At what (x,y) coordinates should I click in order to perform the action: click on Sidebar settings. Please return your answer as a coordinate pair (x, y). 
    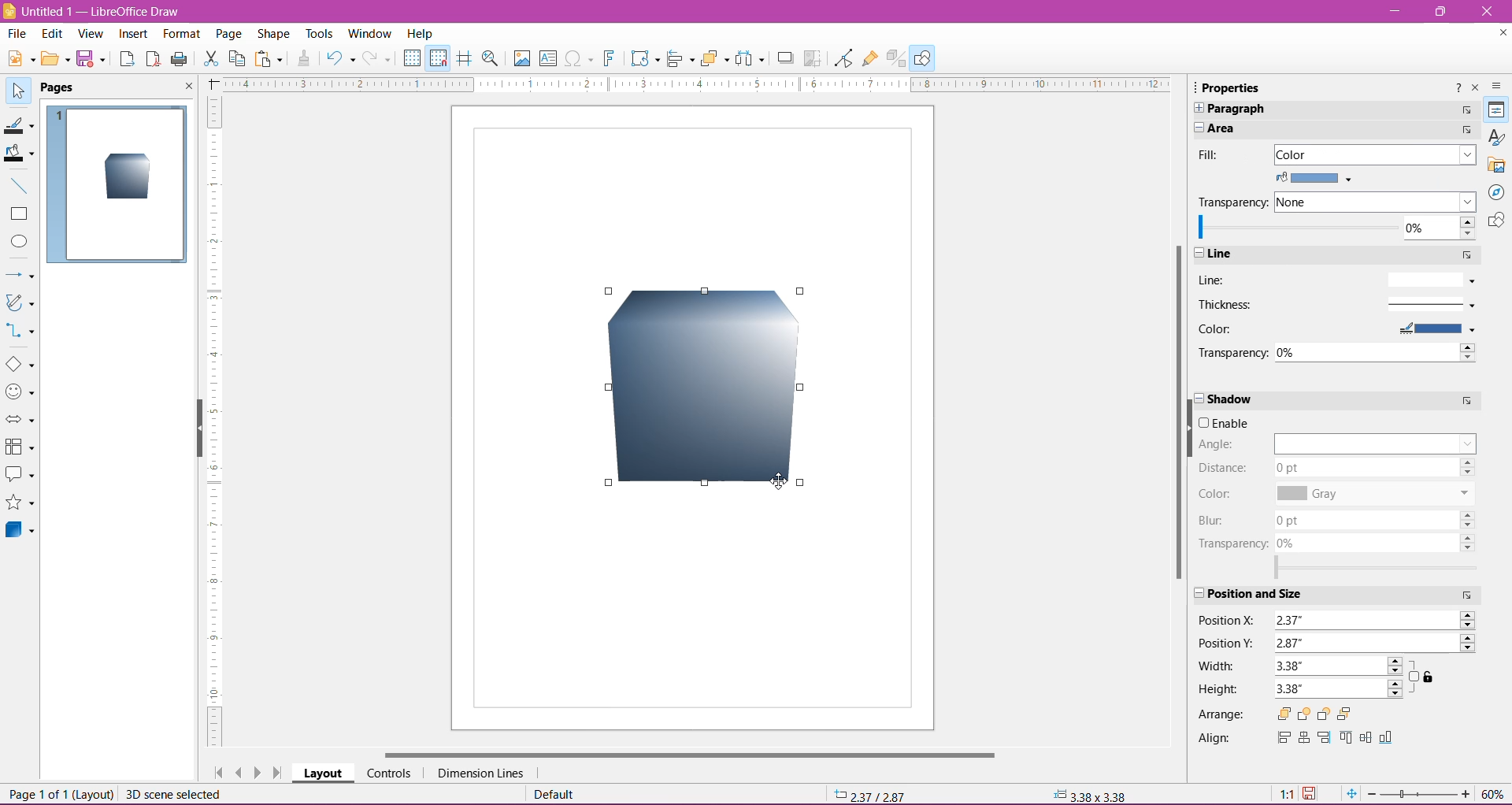
    Looking at the image, I should click on (1499, 86).